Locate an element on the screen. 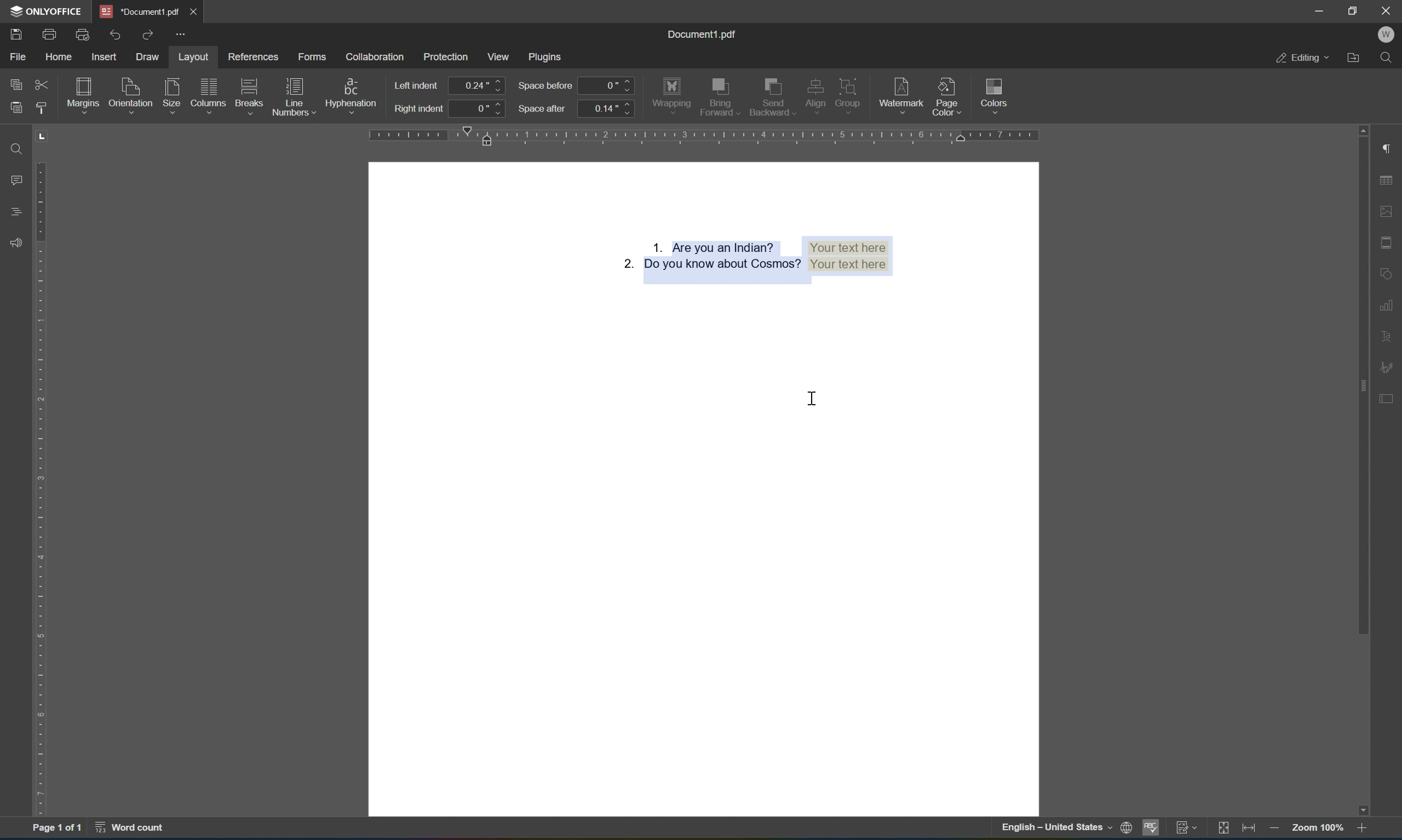 The width and height of the screenshot is (1402, 840). signature settings is located at coordinates (1390, 367).